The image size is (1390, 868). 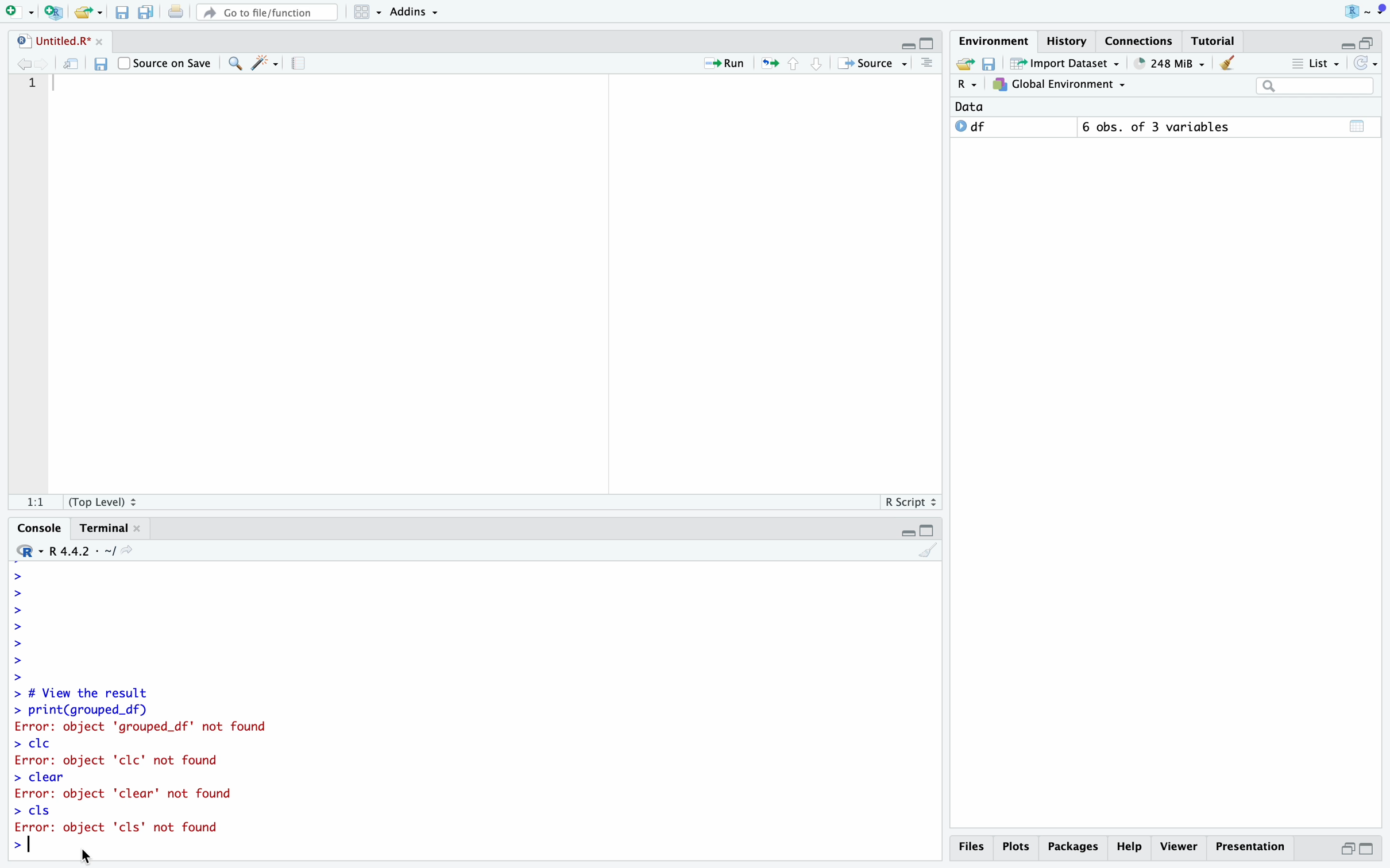 I want to click on Global Environment, so click(x=1059, y=86).